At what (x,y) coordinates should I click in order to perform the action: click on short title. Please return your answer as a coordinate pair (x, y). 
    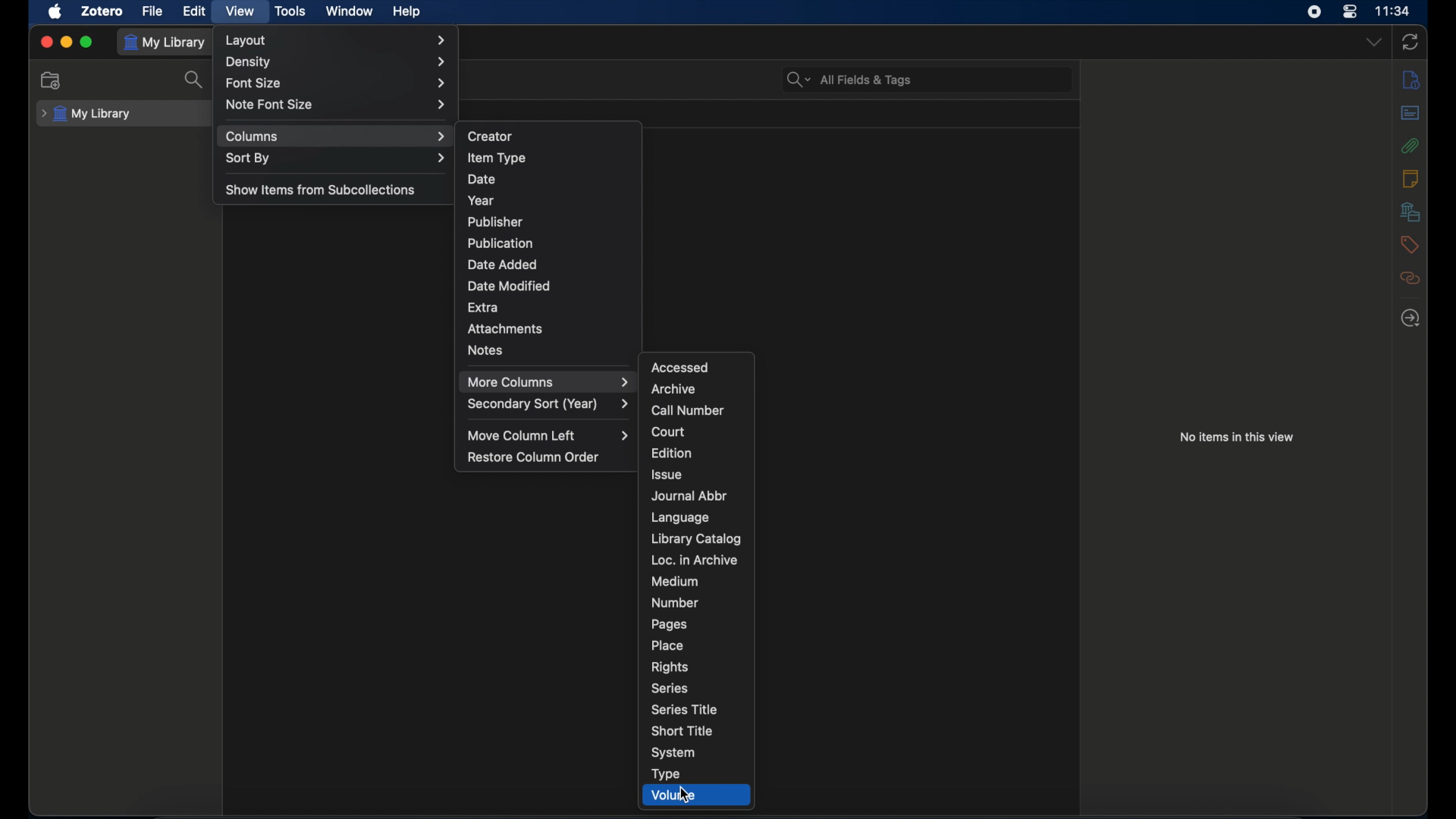
    Looking at the image, I should click on (682, 731).